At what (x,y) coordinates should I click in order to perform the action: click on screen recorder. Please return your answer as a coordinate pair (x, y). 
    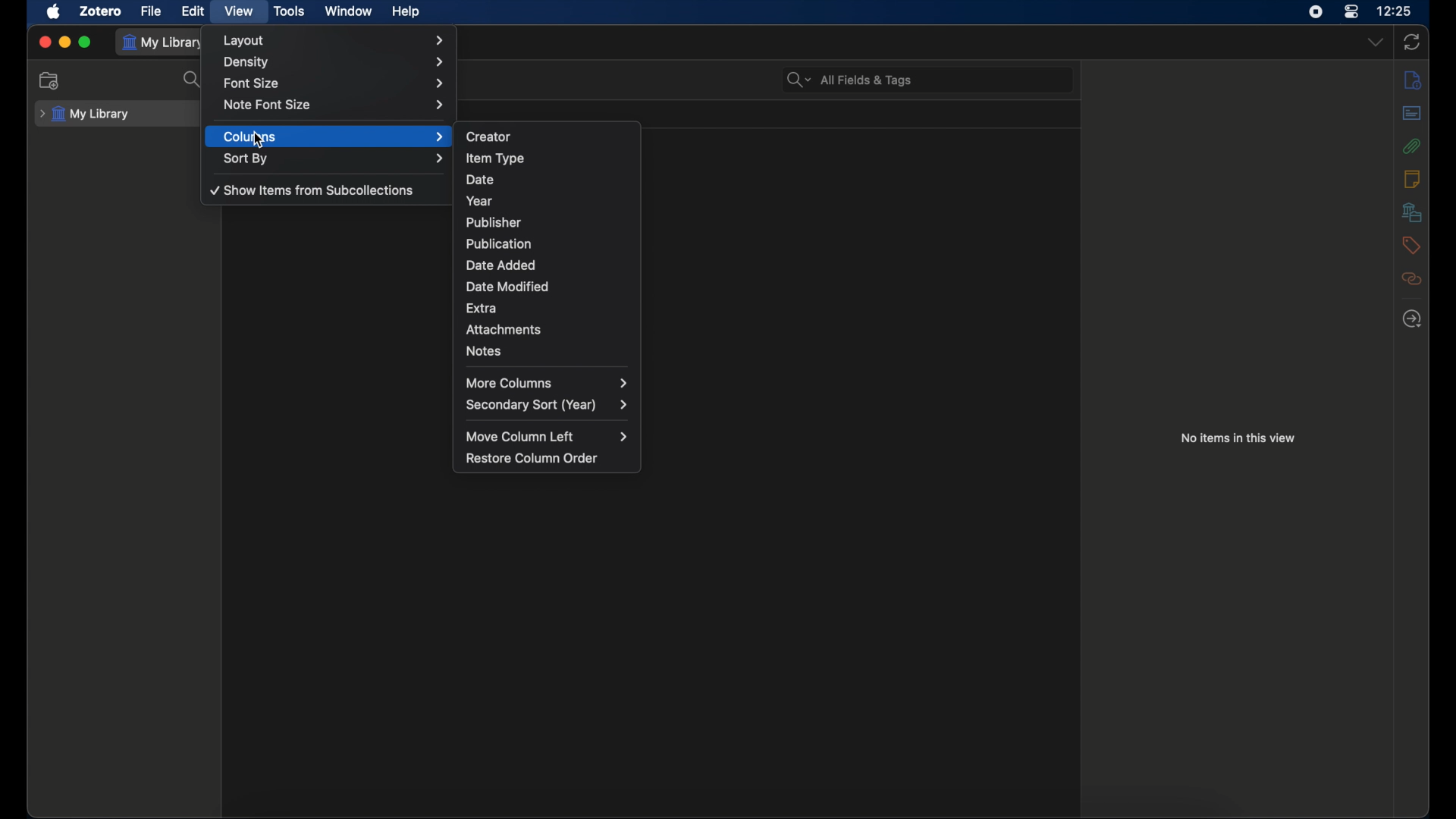
    Looking at the image, I should click on (1318, 11).